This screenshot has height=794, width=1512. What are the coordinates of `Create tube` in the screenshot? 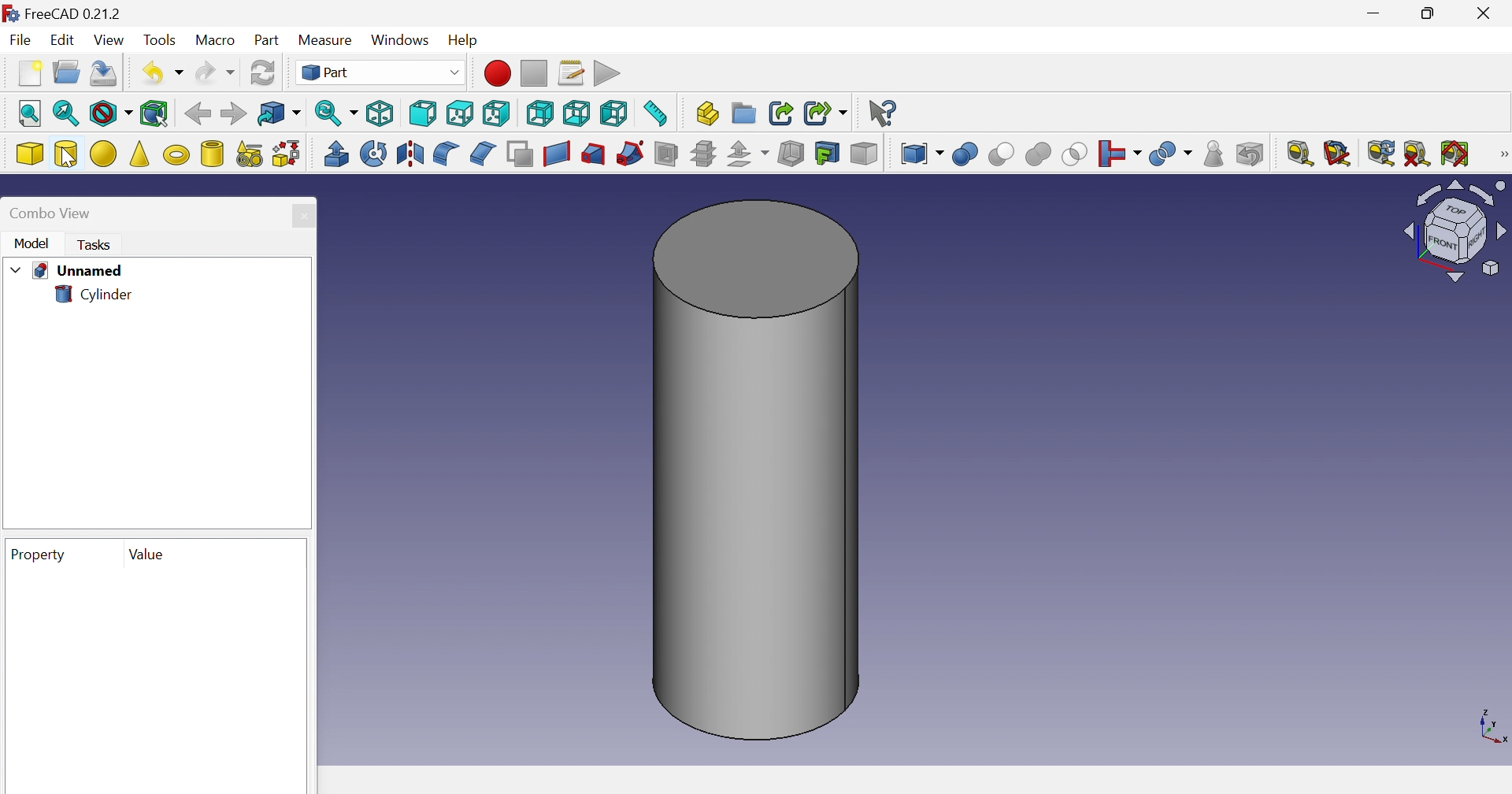 It's located at (212, 154).